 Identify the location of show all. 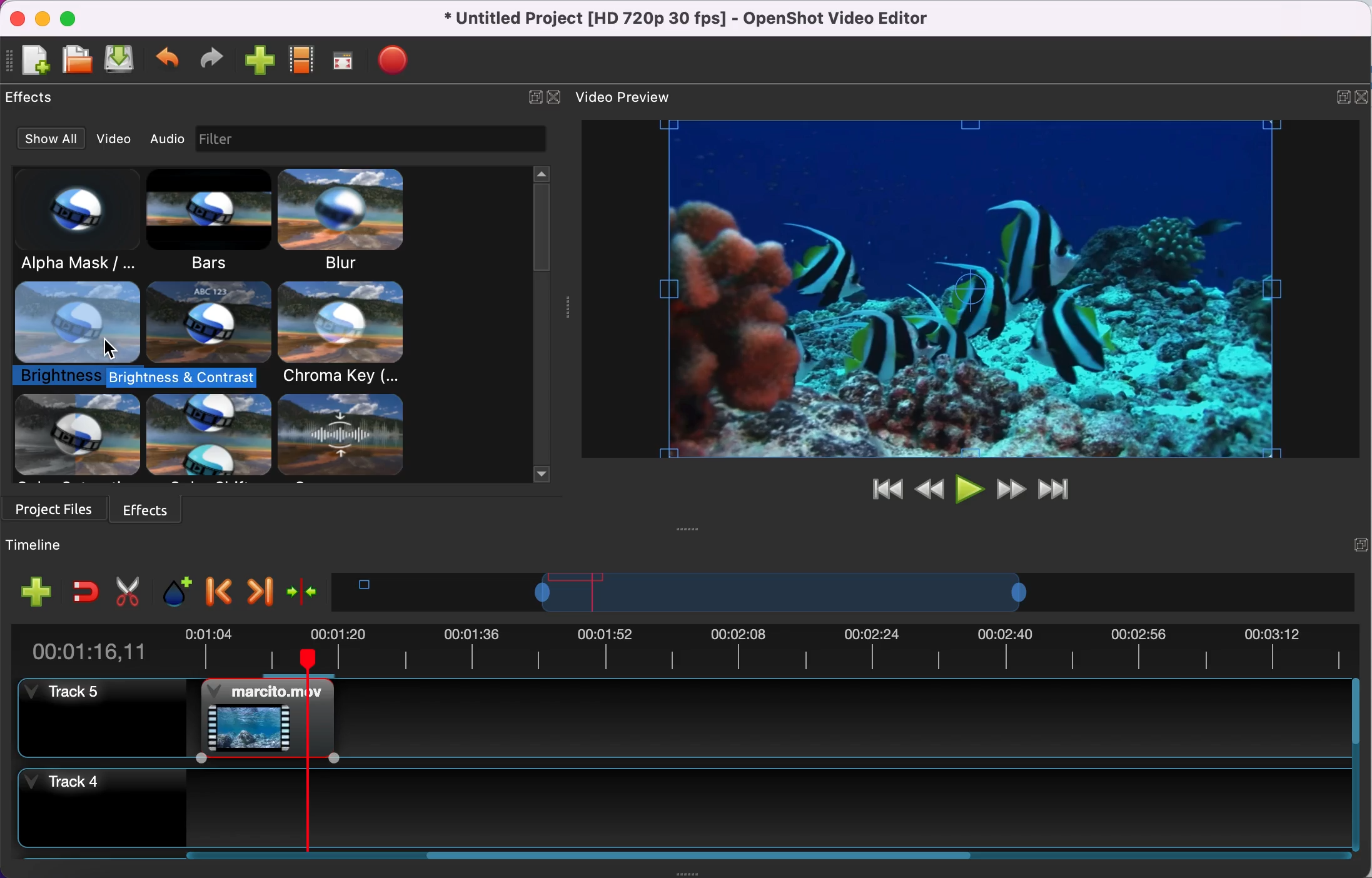
(44, 139).